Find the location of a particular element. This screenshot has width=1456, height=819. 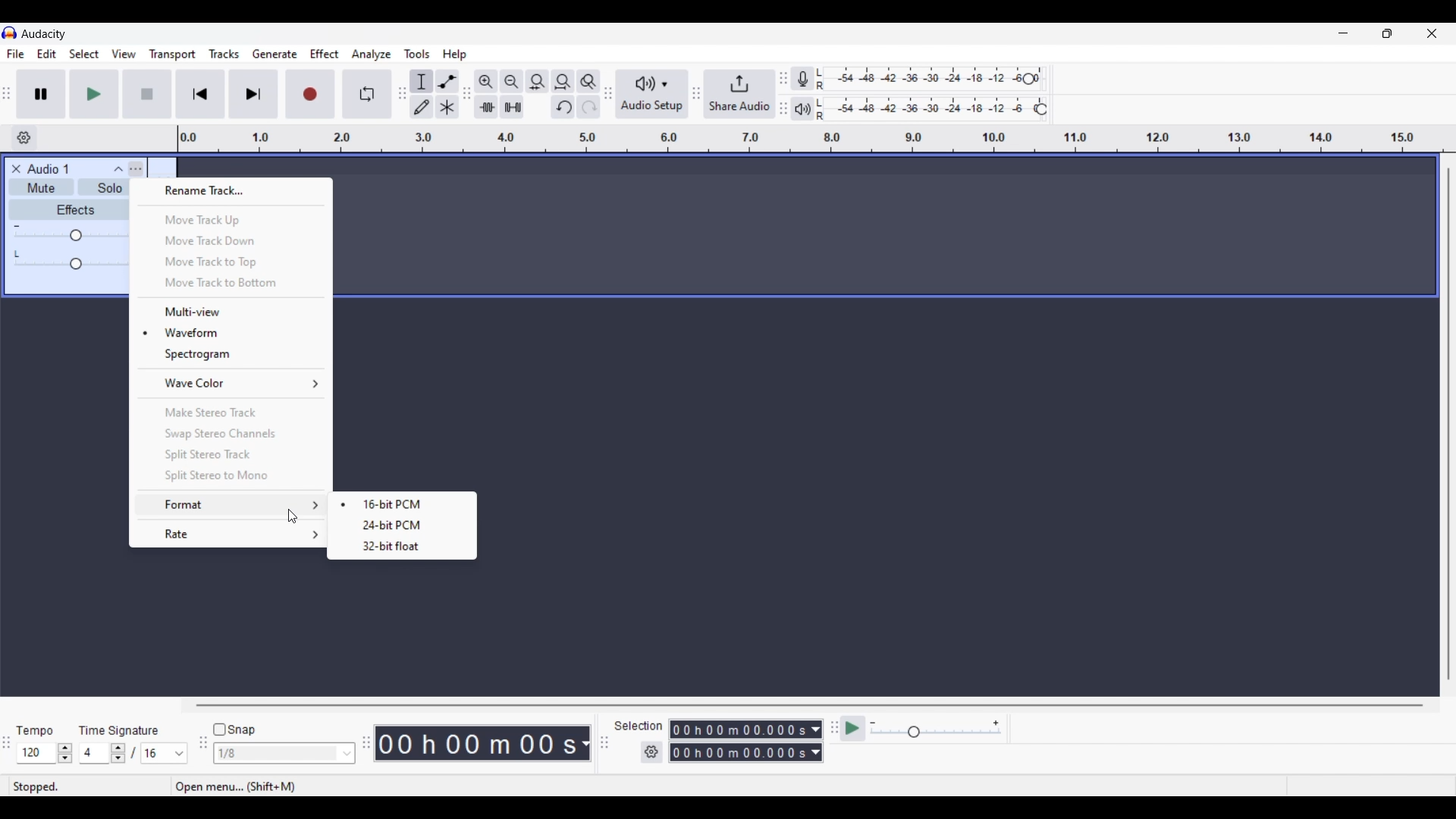

- is located at coordinates (17, 224).